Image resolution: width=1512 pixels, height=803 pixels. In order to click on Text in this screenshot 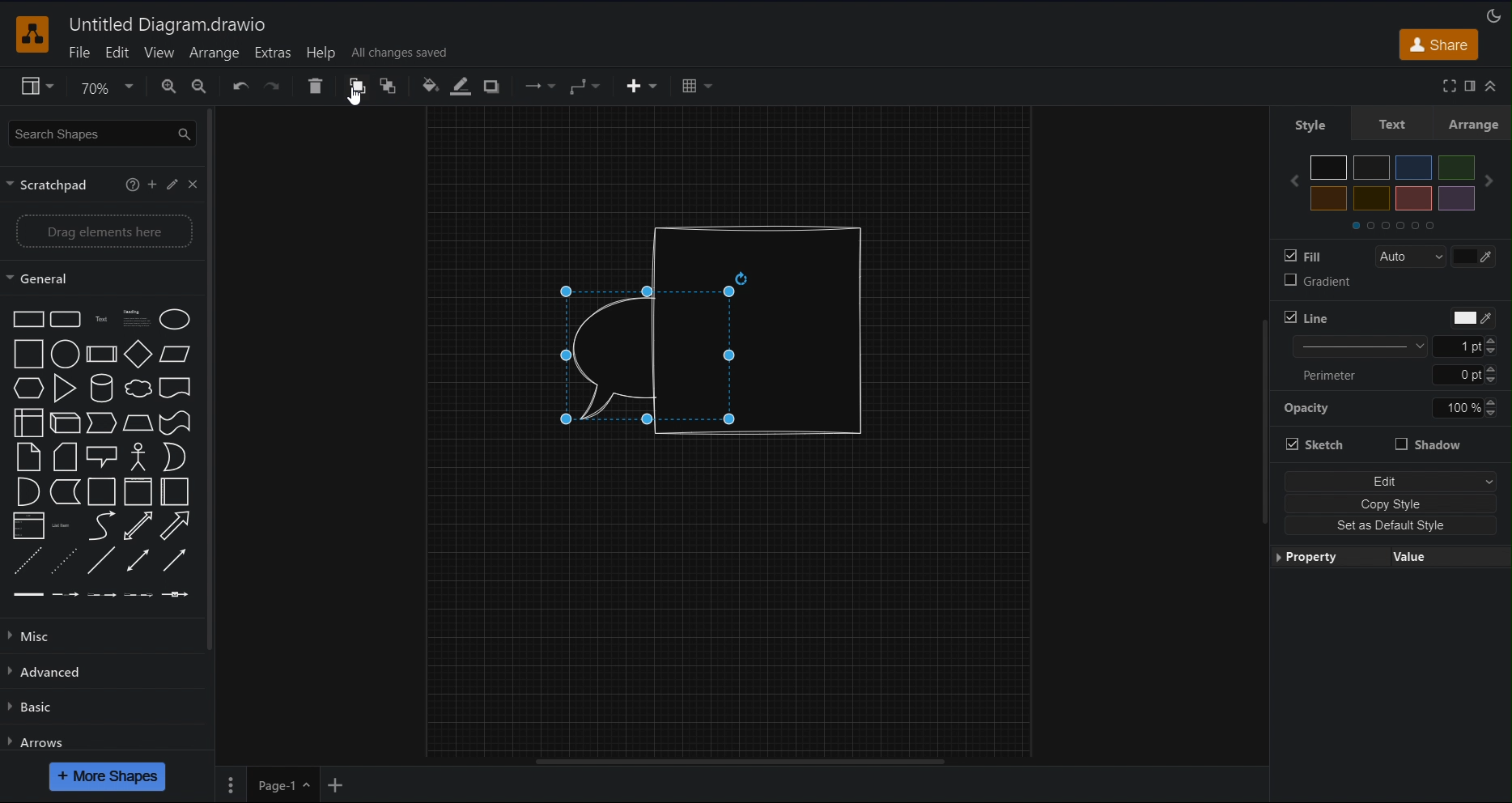, I will do `click(1398, 123)`.